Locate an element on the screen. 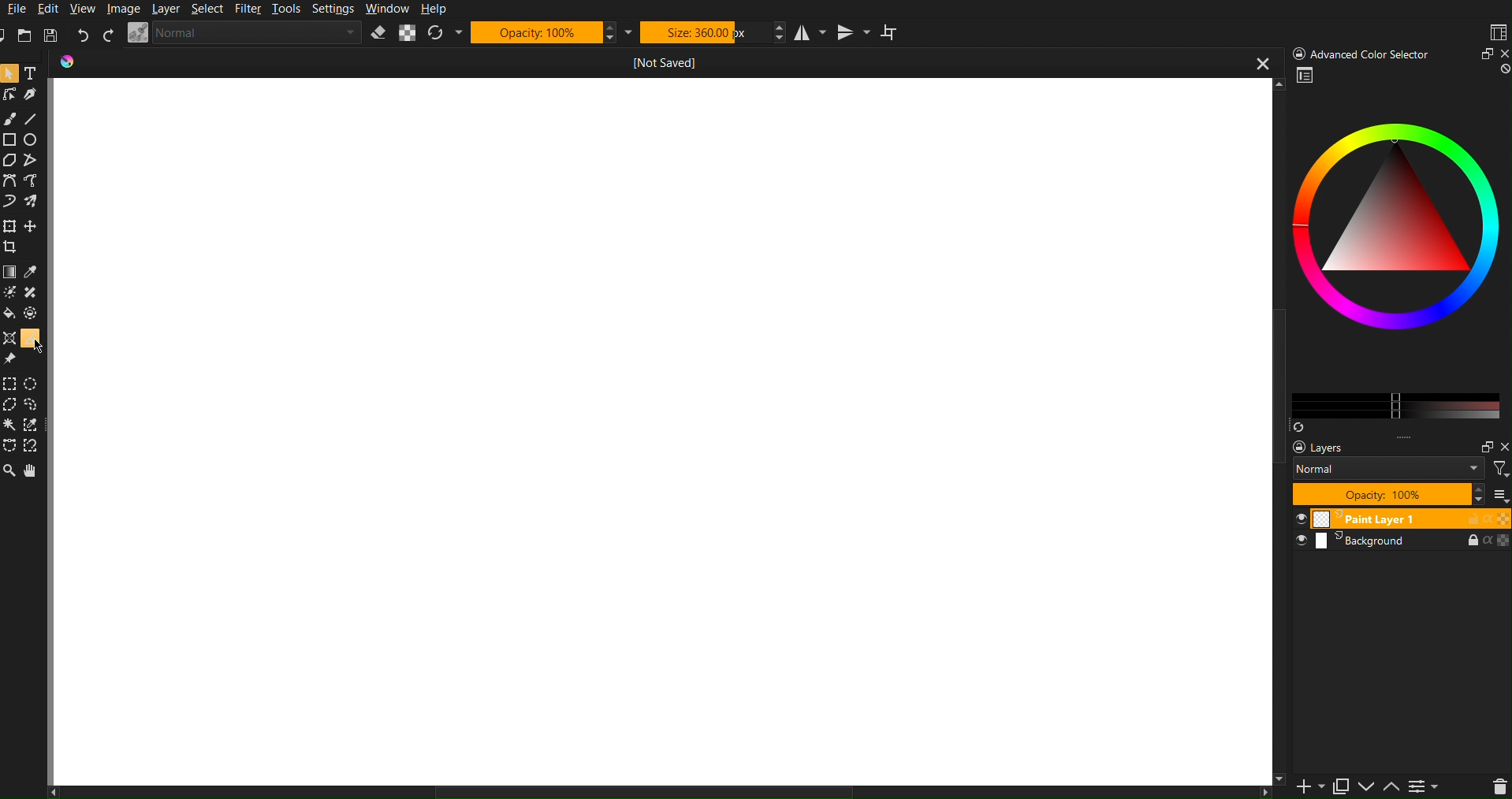 The image size is (1512, 799). Layer Settings is located at coordinates (1393, 471).